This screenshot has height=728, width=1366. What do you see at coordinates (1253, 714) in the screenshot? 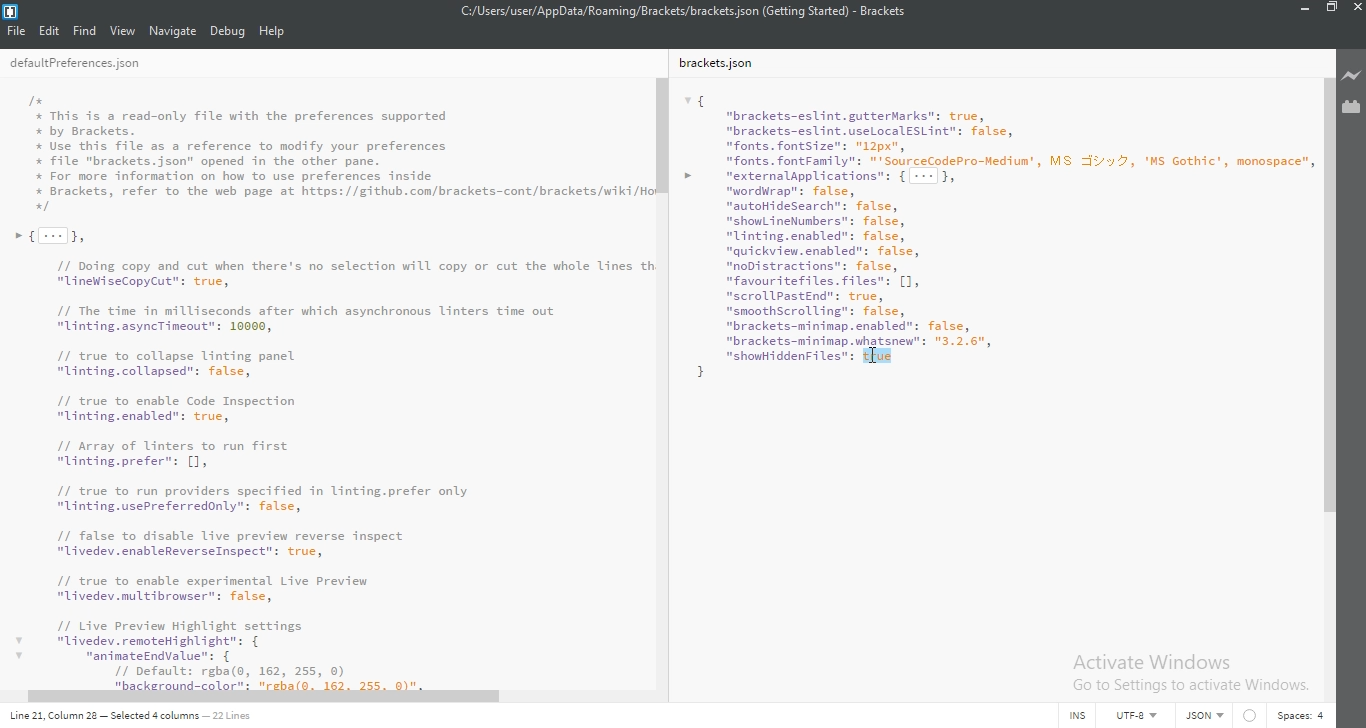
I see `circle` at bounding box center [1253, 714].